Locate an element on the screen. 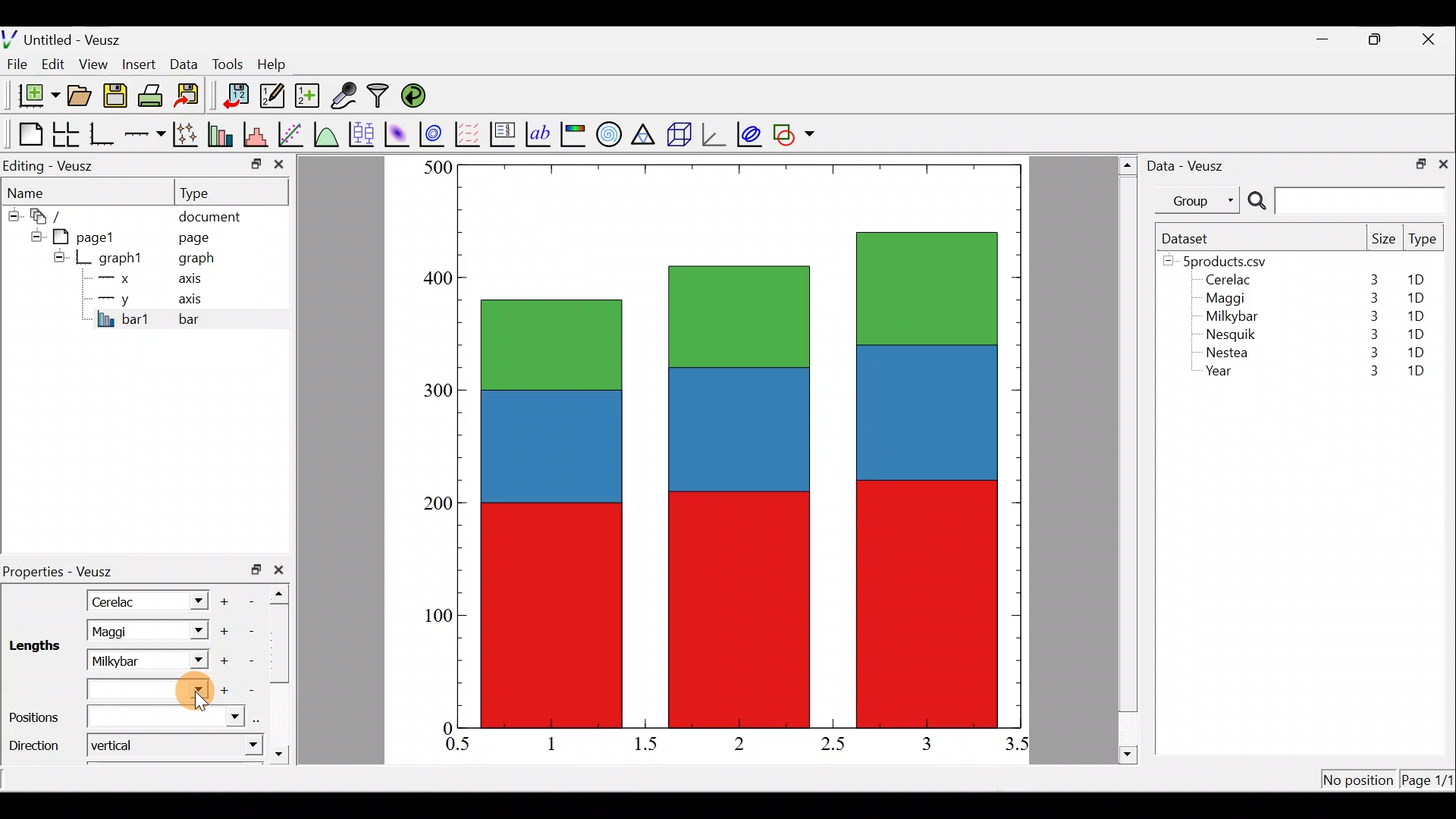 Image resolution: width=1456 pixels, height=819 pixels. Milkybar is located at coordinates (1228, 318).